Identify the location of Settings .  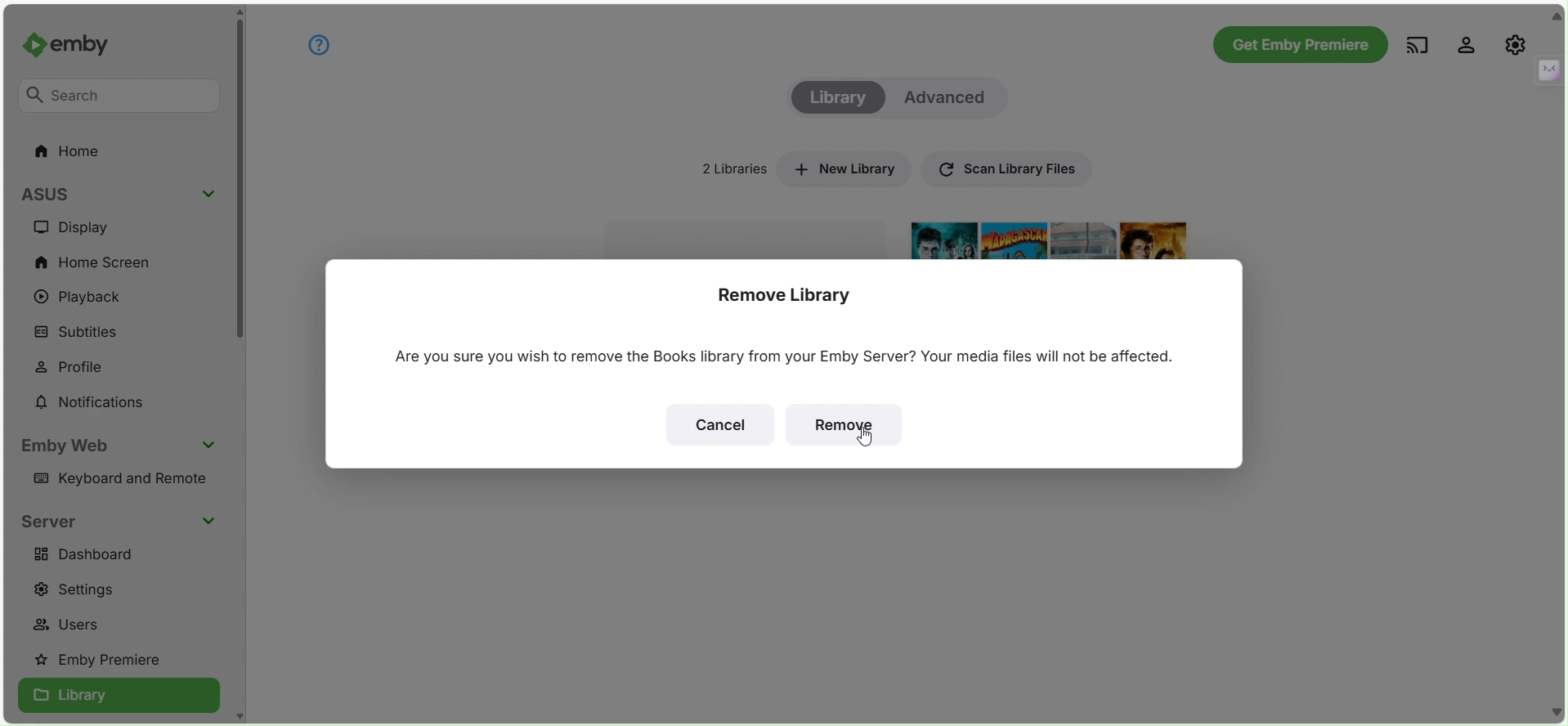
(1467, 43).